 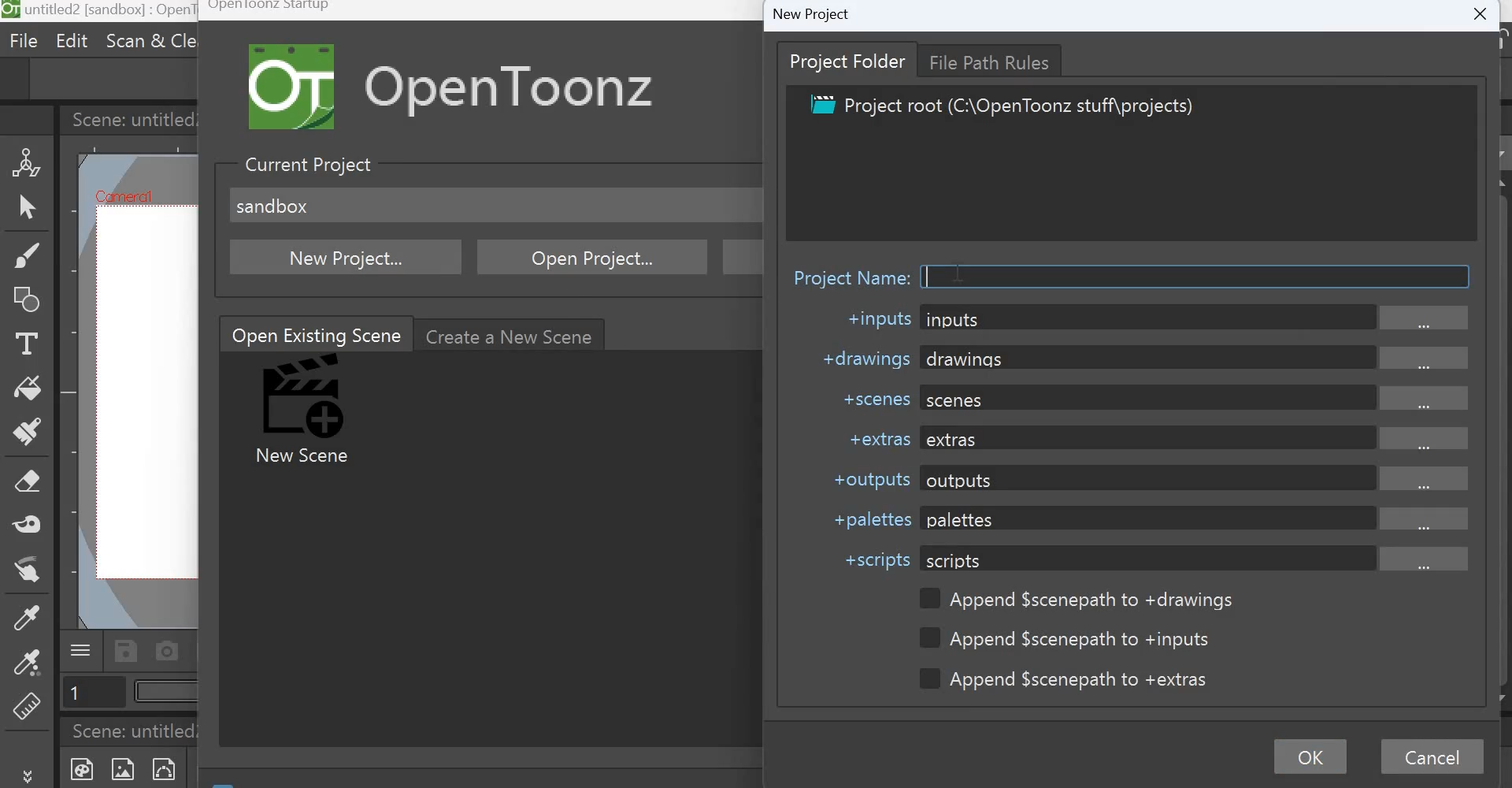 What do you see at coordinates (869, 520) in the screenshot?
I see `+palletes` at bounding box center [869, 520].